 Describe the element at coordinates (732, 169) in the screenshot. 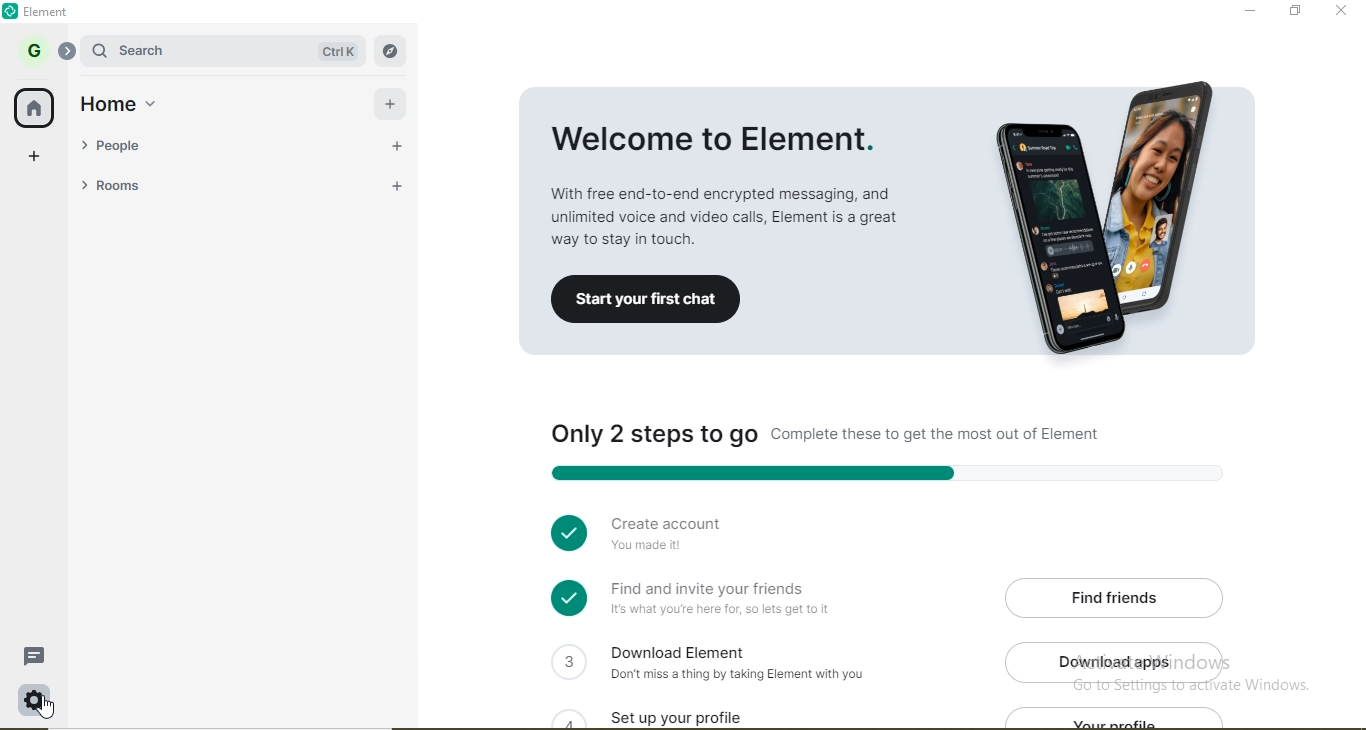

I see `Welcome to element` at that location.